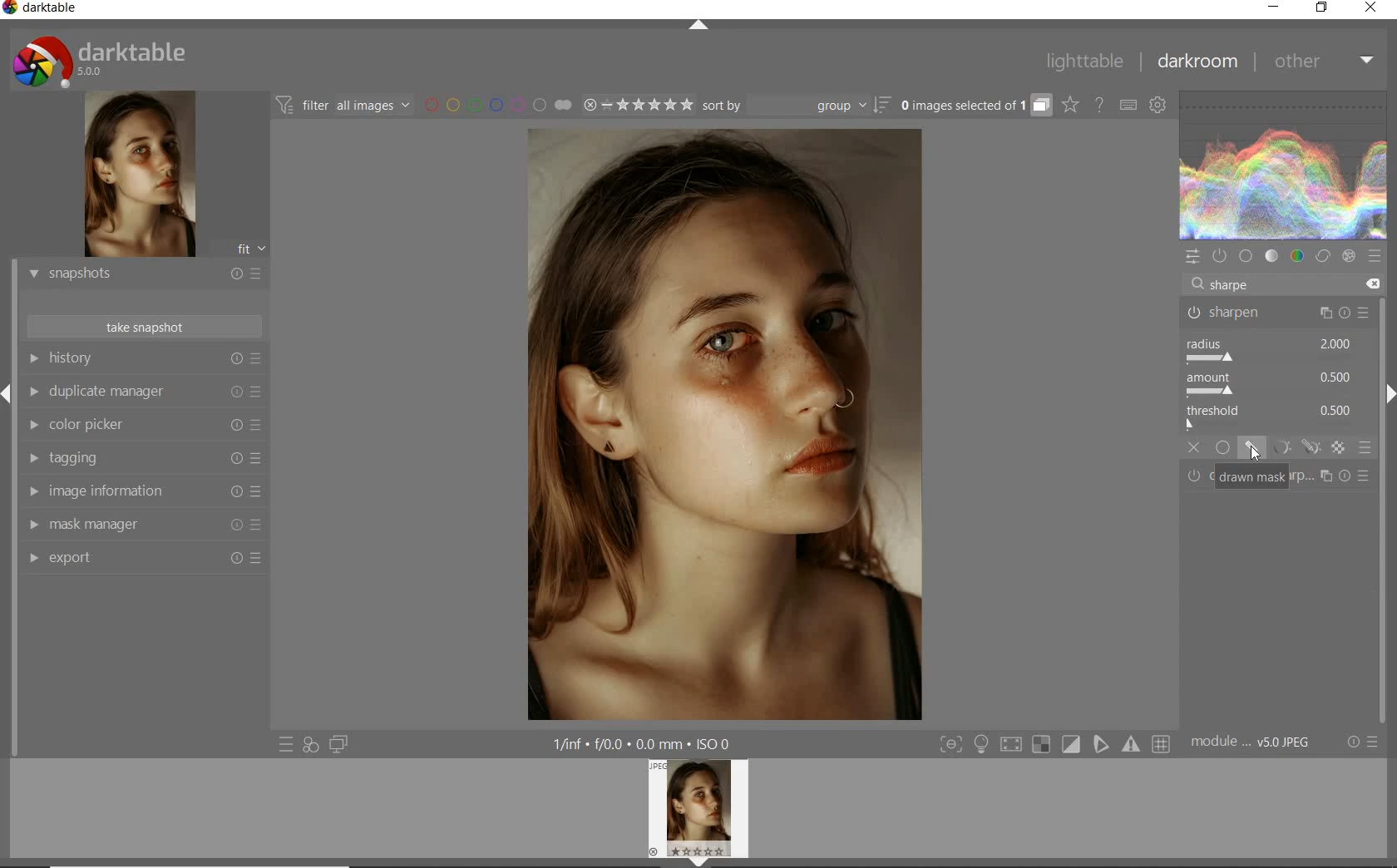 The height and width of the screenshot is (868, 1397). What do you see at coordinates (1322, 258) in the screenshot?
I see `correct` at bounding box center [1322, 258].